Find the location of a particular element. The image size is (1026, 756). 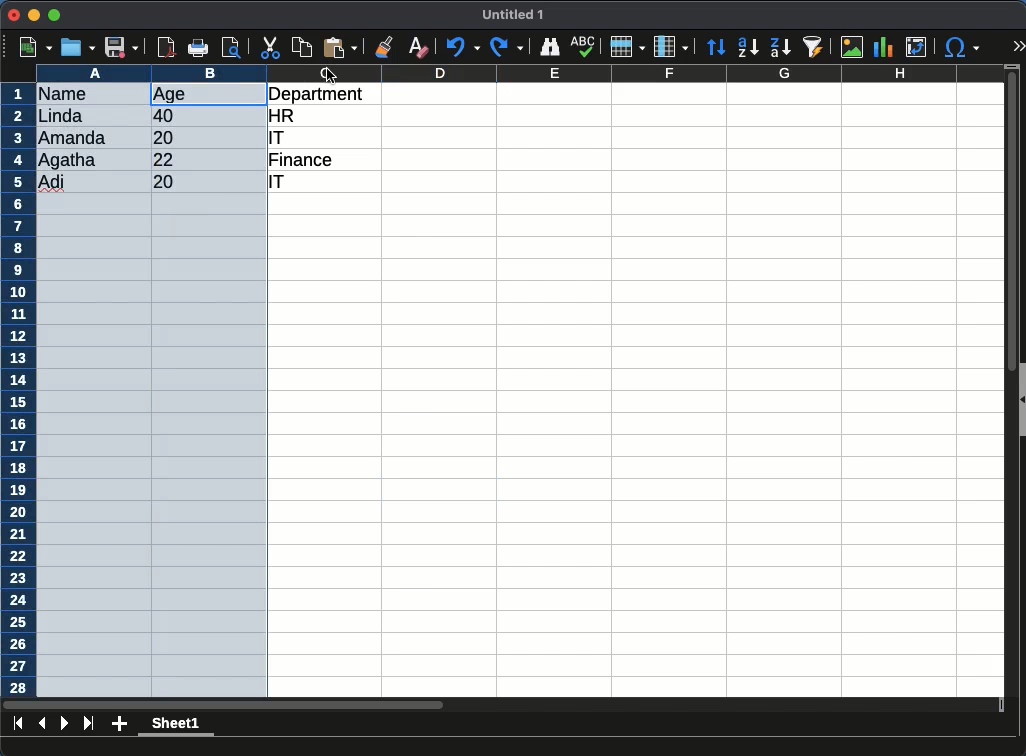

last page is located at coordinates (88, 725).